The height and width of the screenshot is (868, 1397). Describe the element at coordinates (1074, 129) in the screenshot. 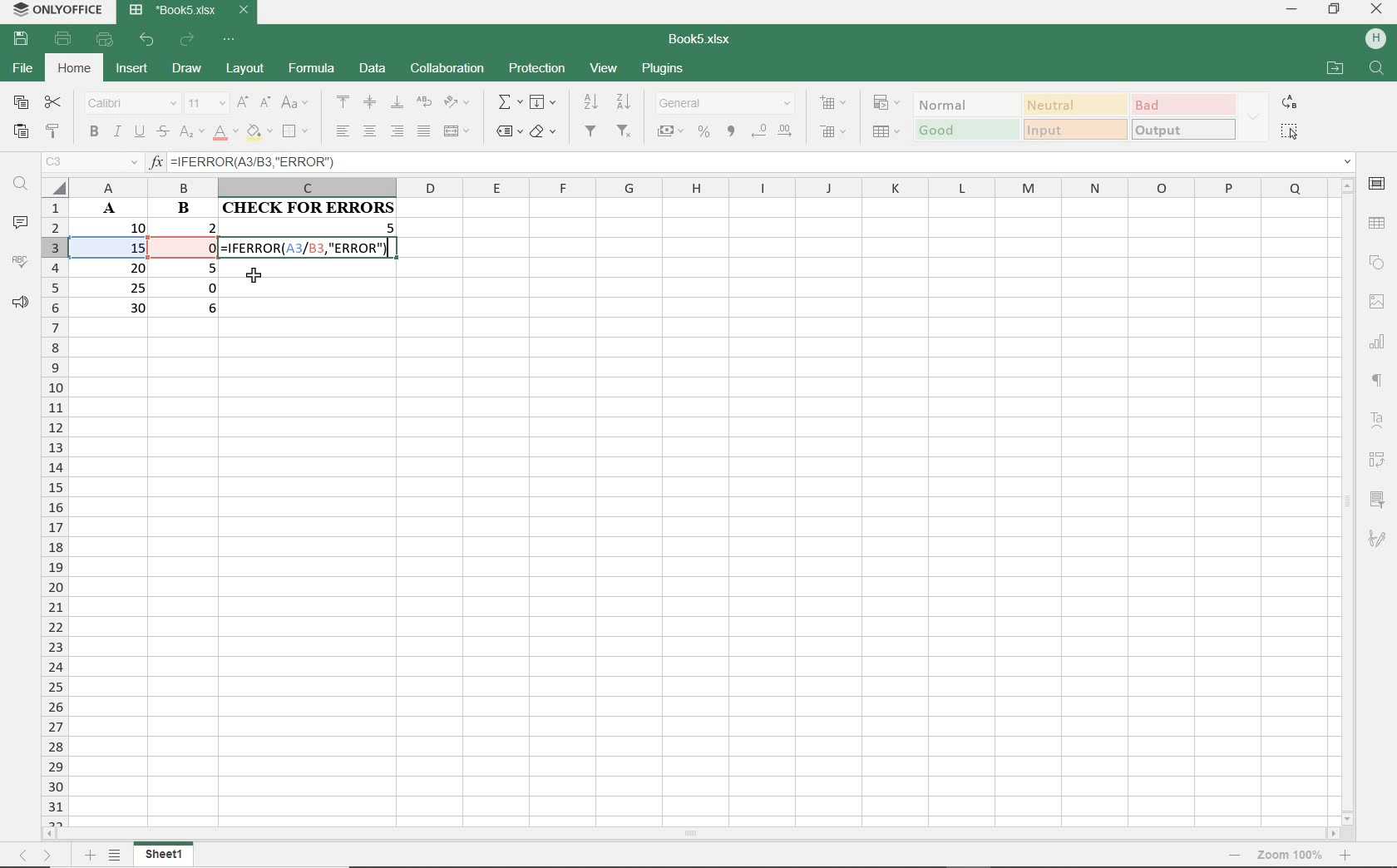

I see `INPUT` at that location.